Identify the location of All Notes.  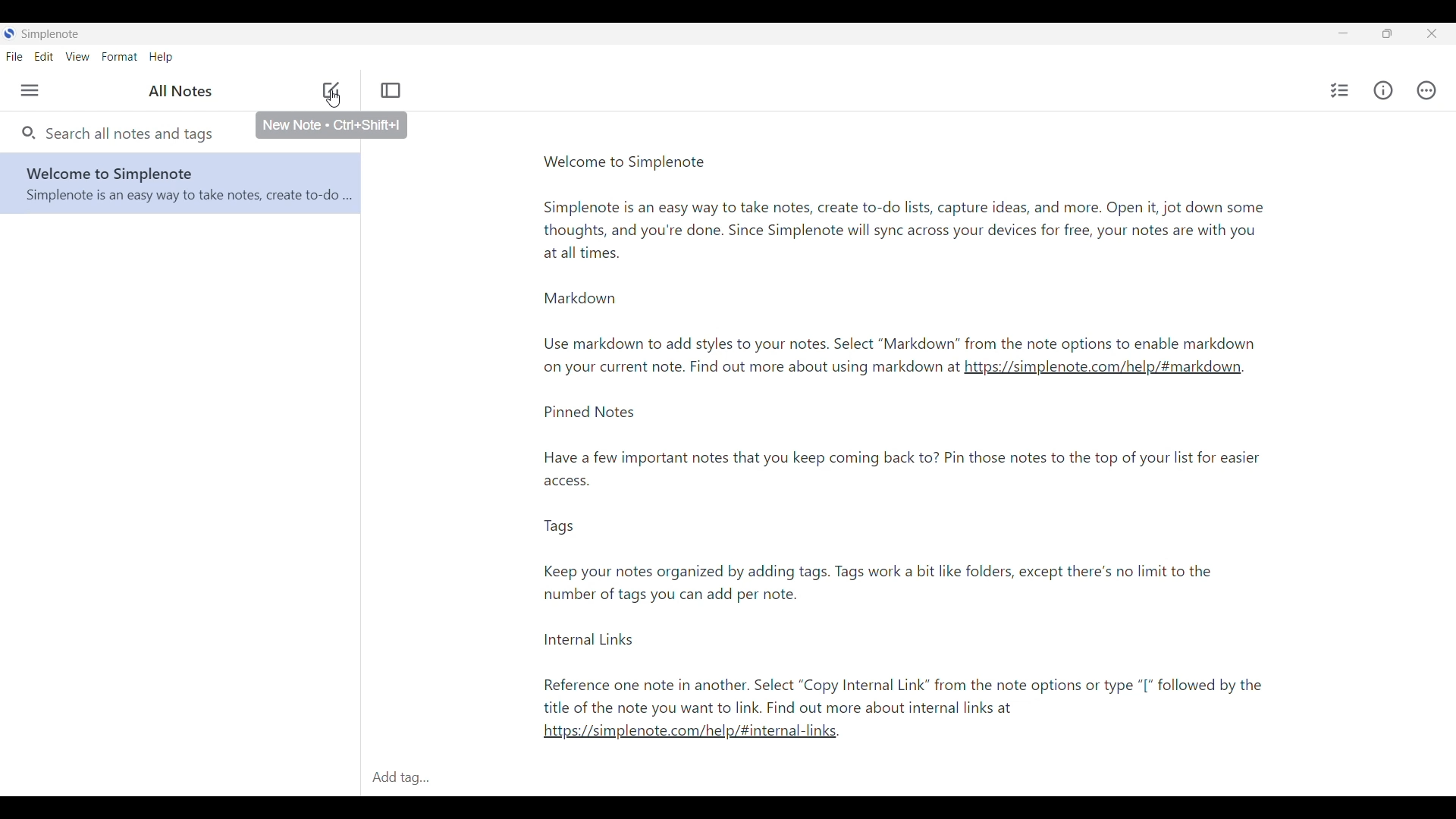
(177, 92).